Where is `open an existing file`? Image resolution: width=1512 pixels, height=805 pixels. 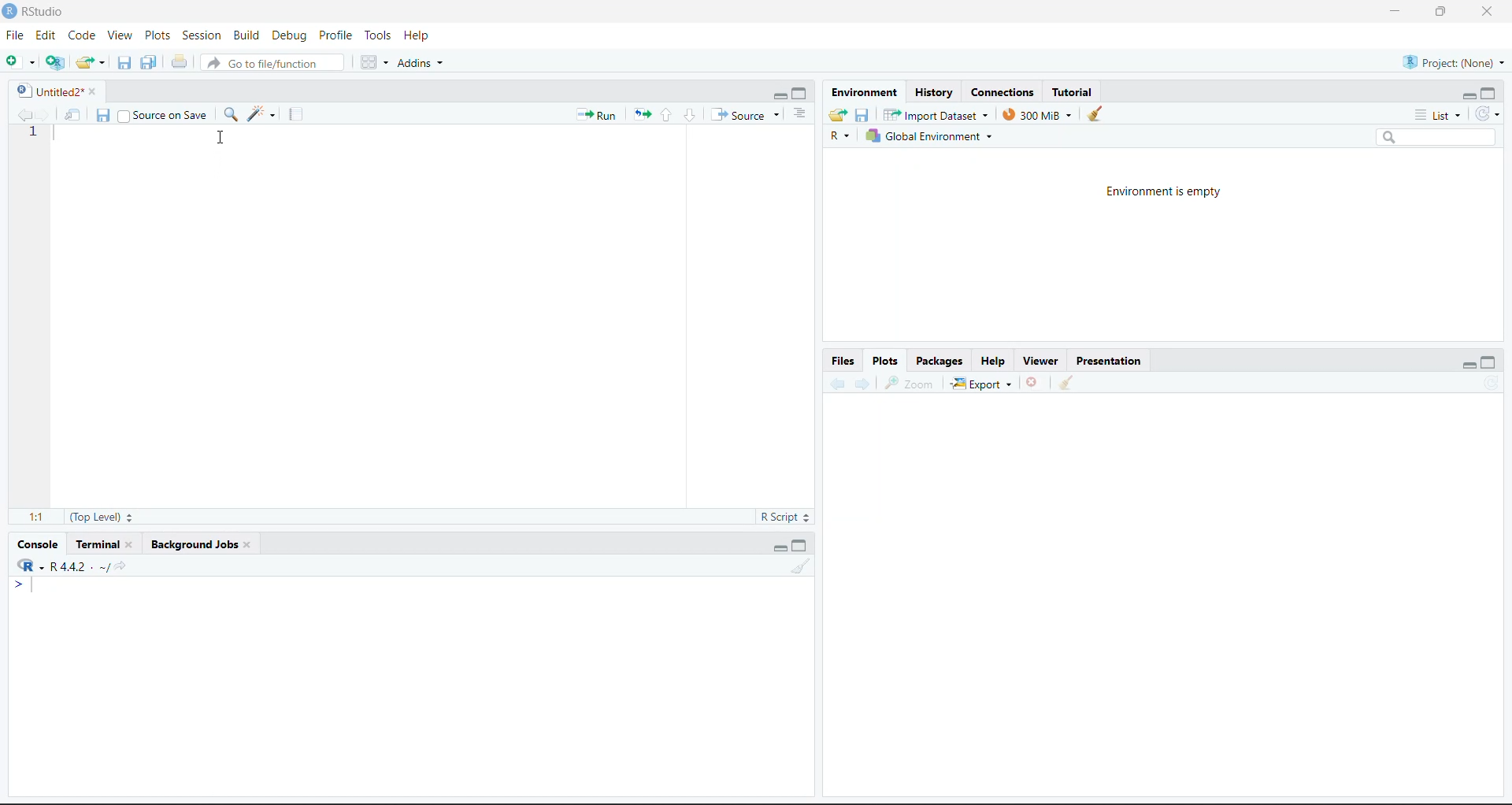 open an existing file is located at coordinates (89, 61).